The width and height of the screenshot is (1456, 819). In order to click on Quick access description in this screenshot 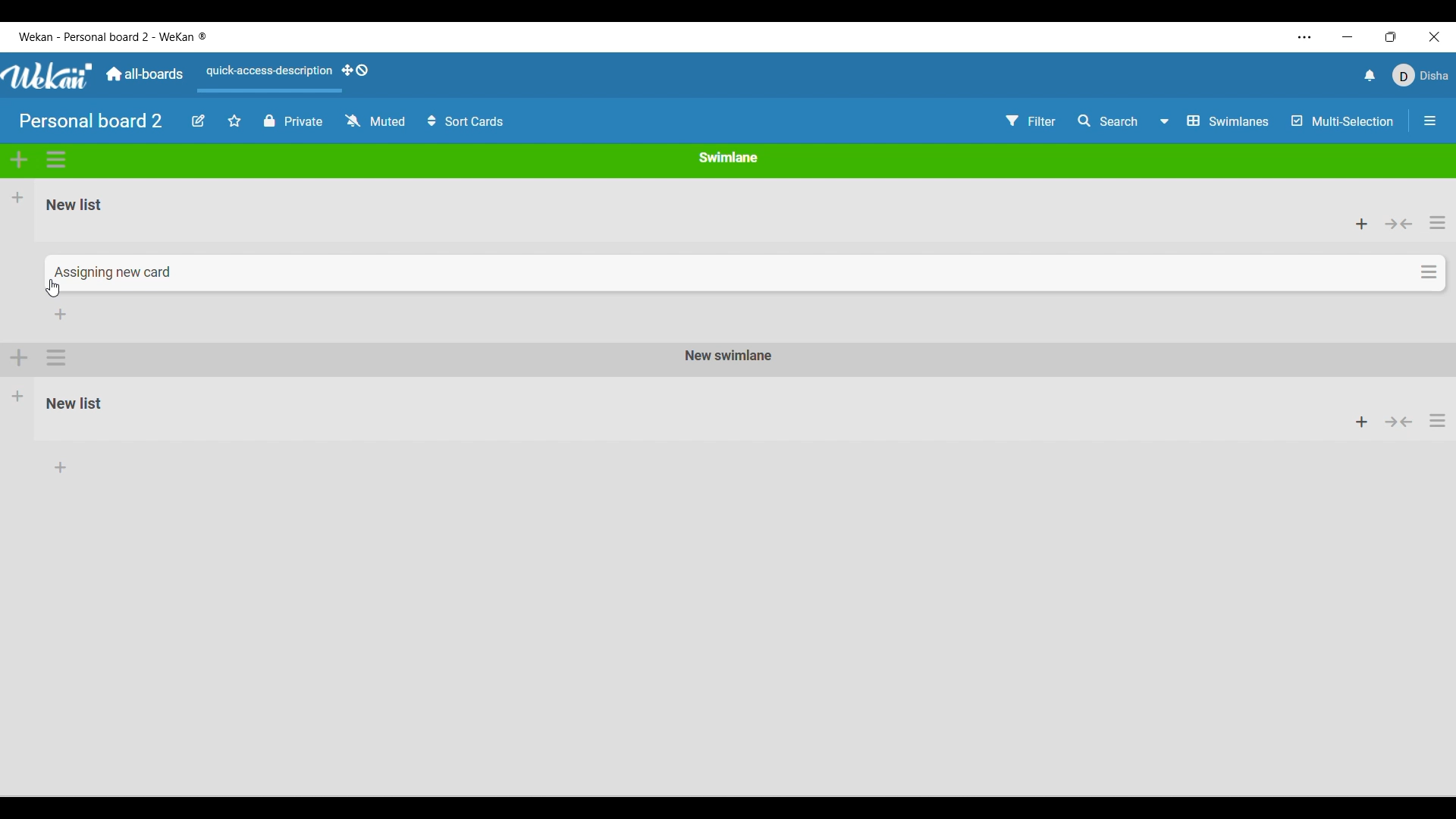, I will do `click(266, 77)`.